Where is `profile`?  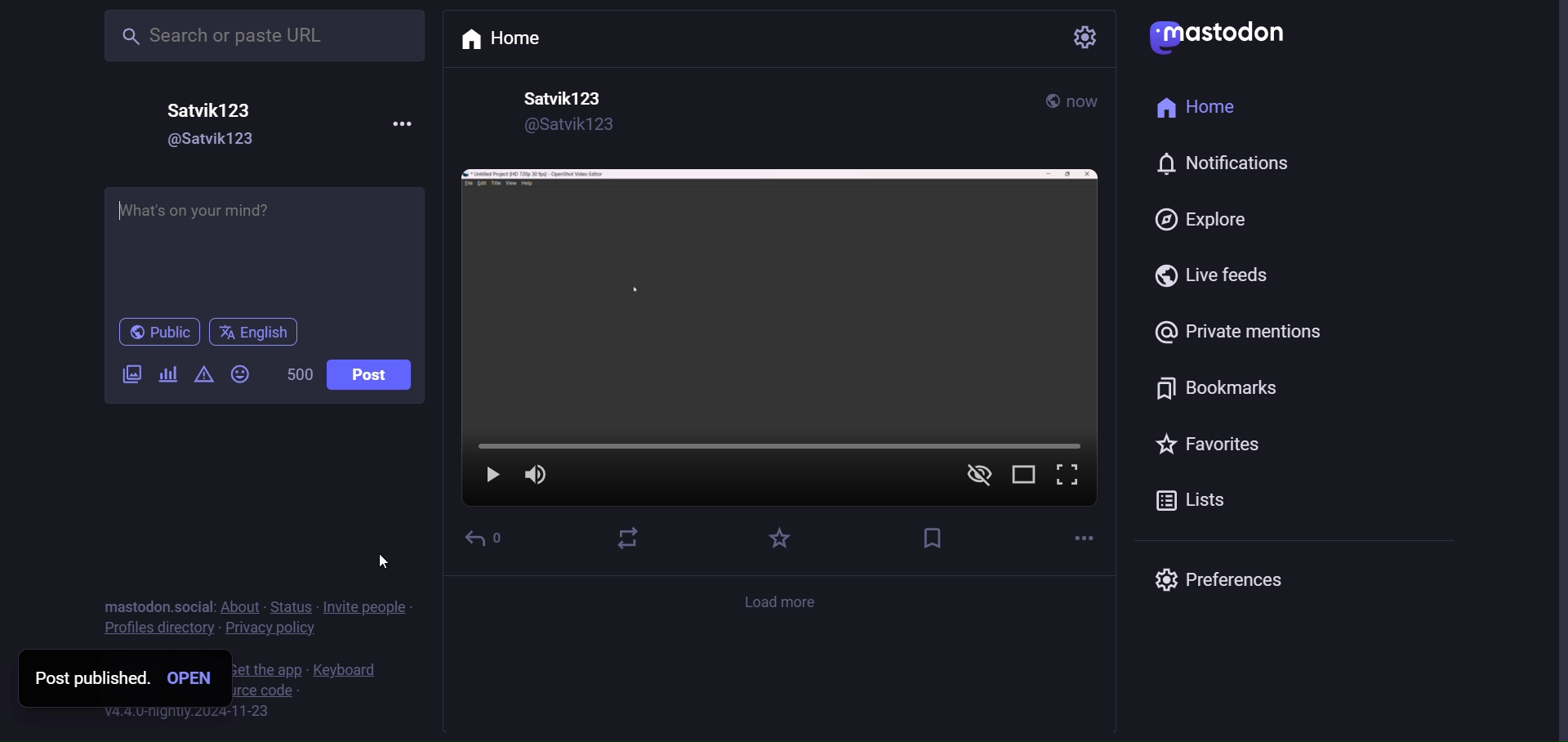
profile is located at coordinates (152, 628).